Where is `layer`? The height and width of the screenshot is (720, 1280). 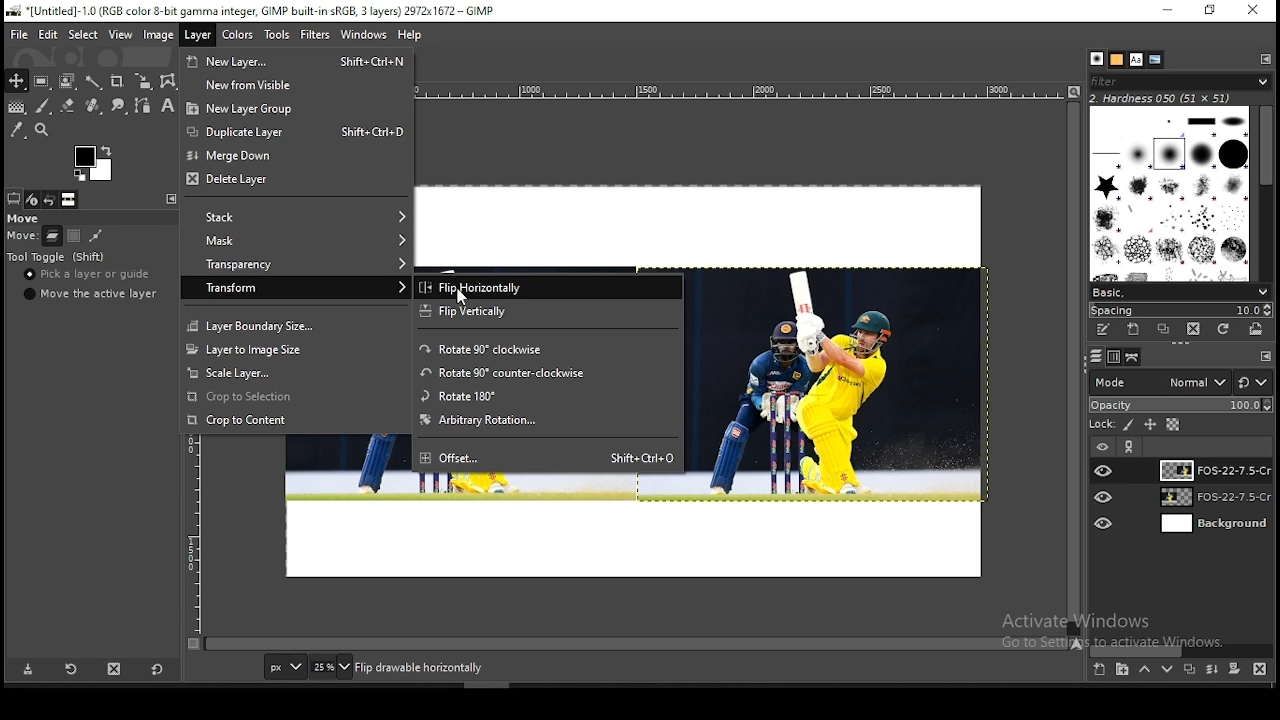 layer is located at coordinates (196, 36).